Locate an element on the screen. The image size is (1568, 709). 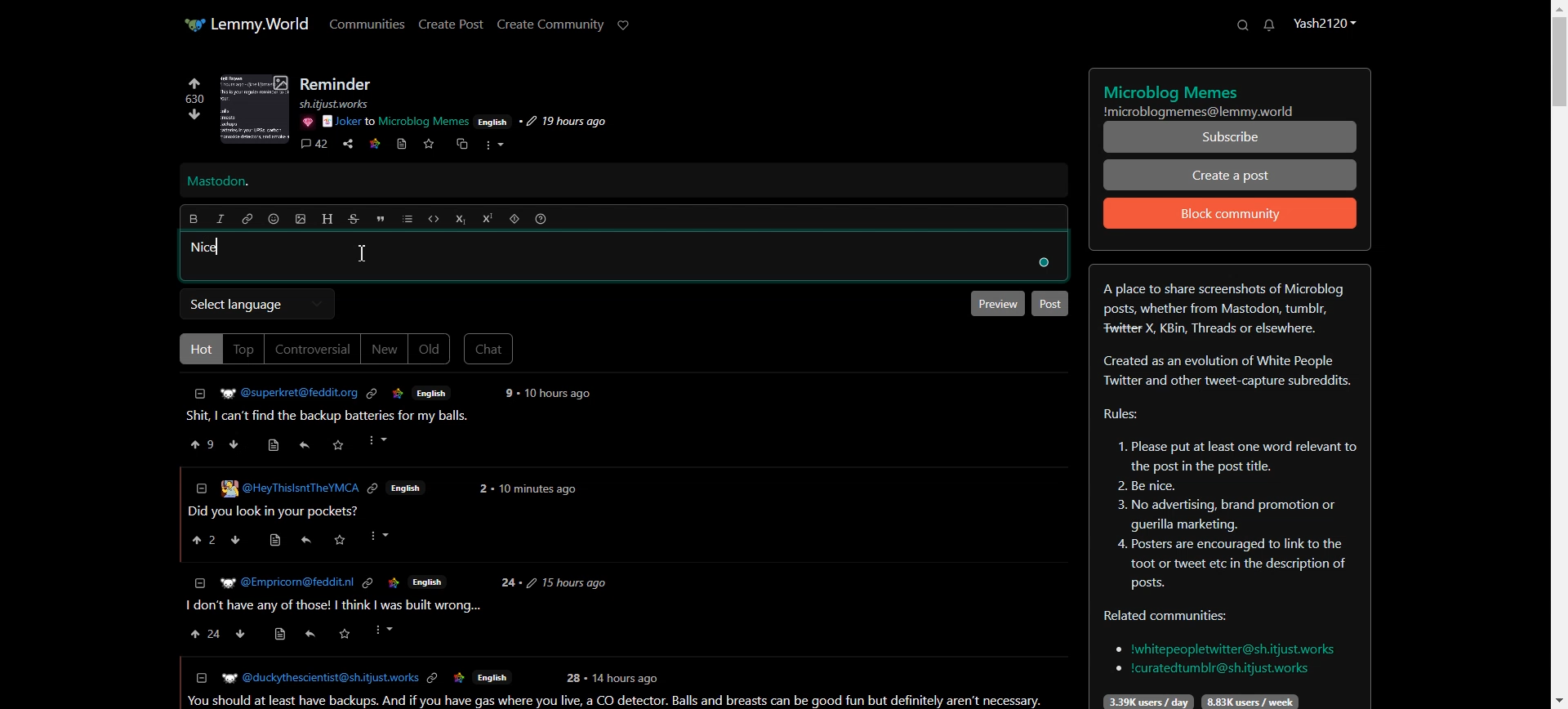
Controversial is located at coordinates (313, 349).